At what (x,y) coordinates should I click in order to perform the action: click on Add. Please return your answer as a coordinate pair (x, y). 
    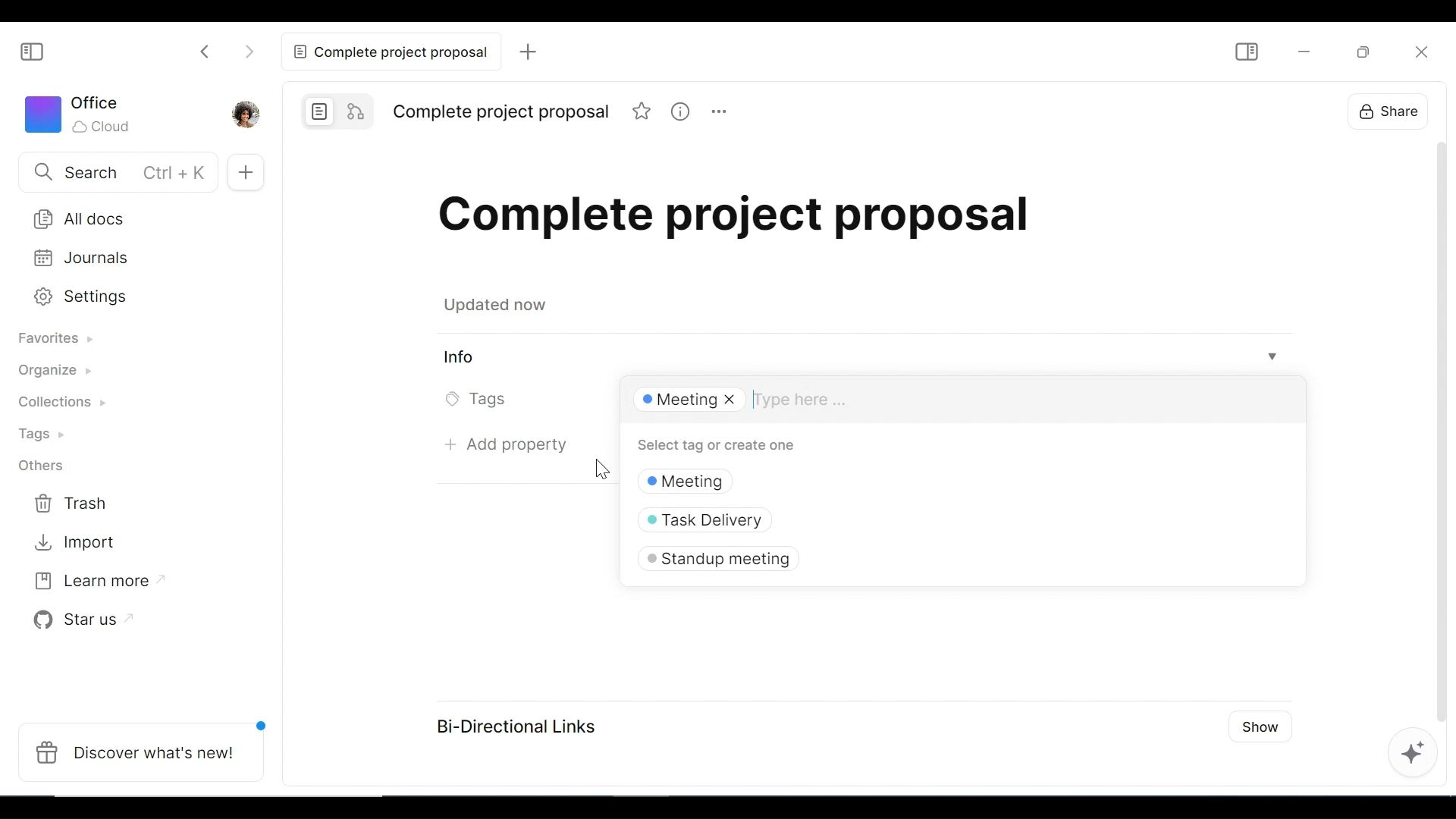
    Looking at the image, I should click on (529, 52).